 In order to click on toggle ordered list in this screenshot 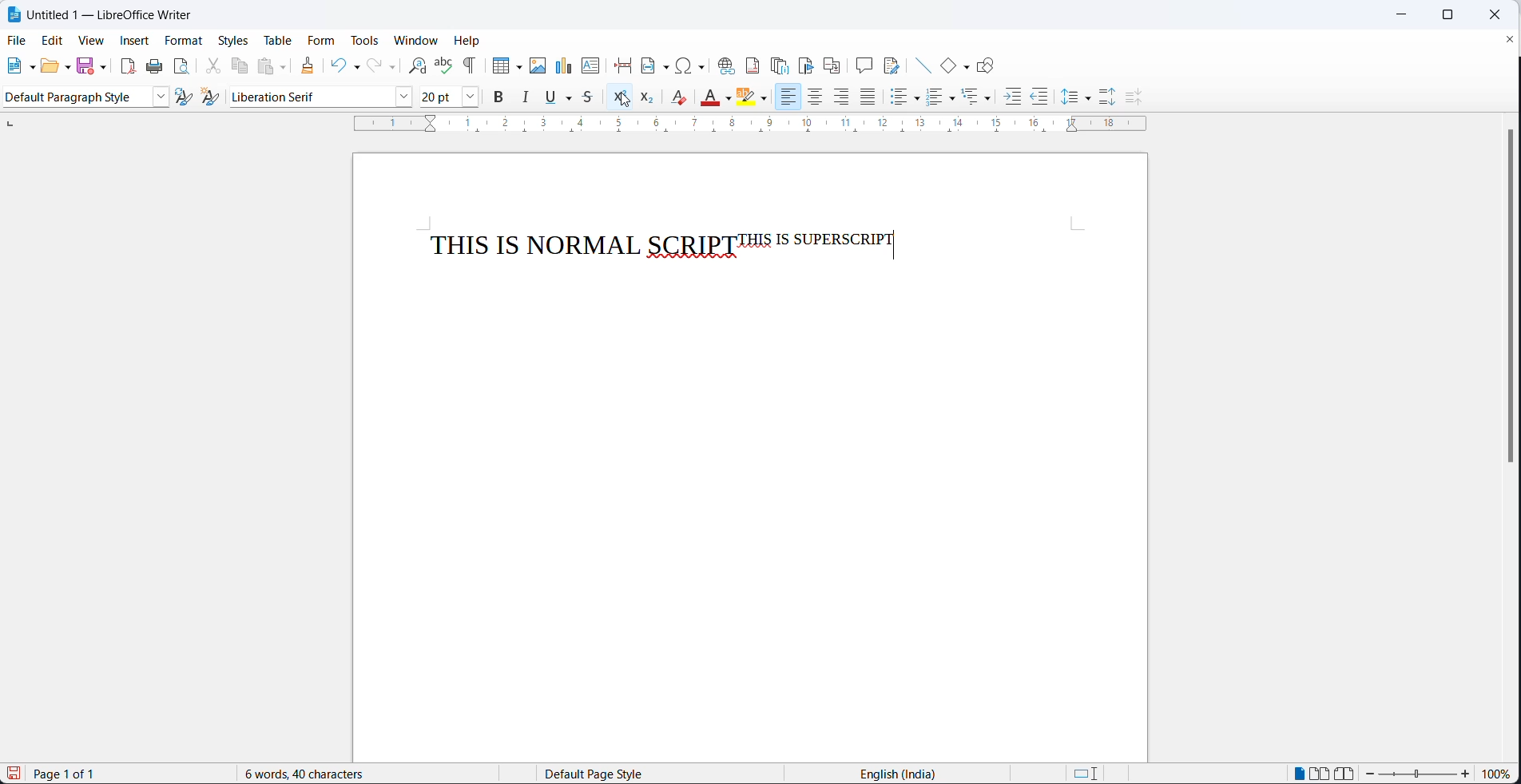, I will do `click(935, 97)`.